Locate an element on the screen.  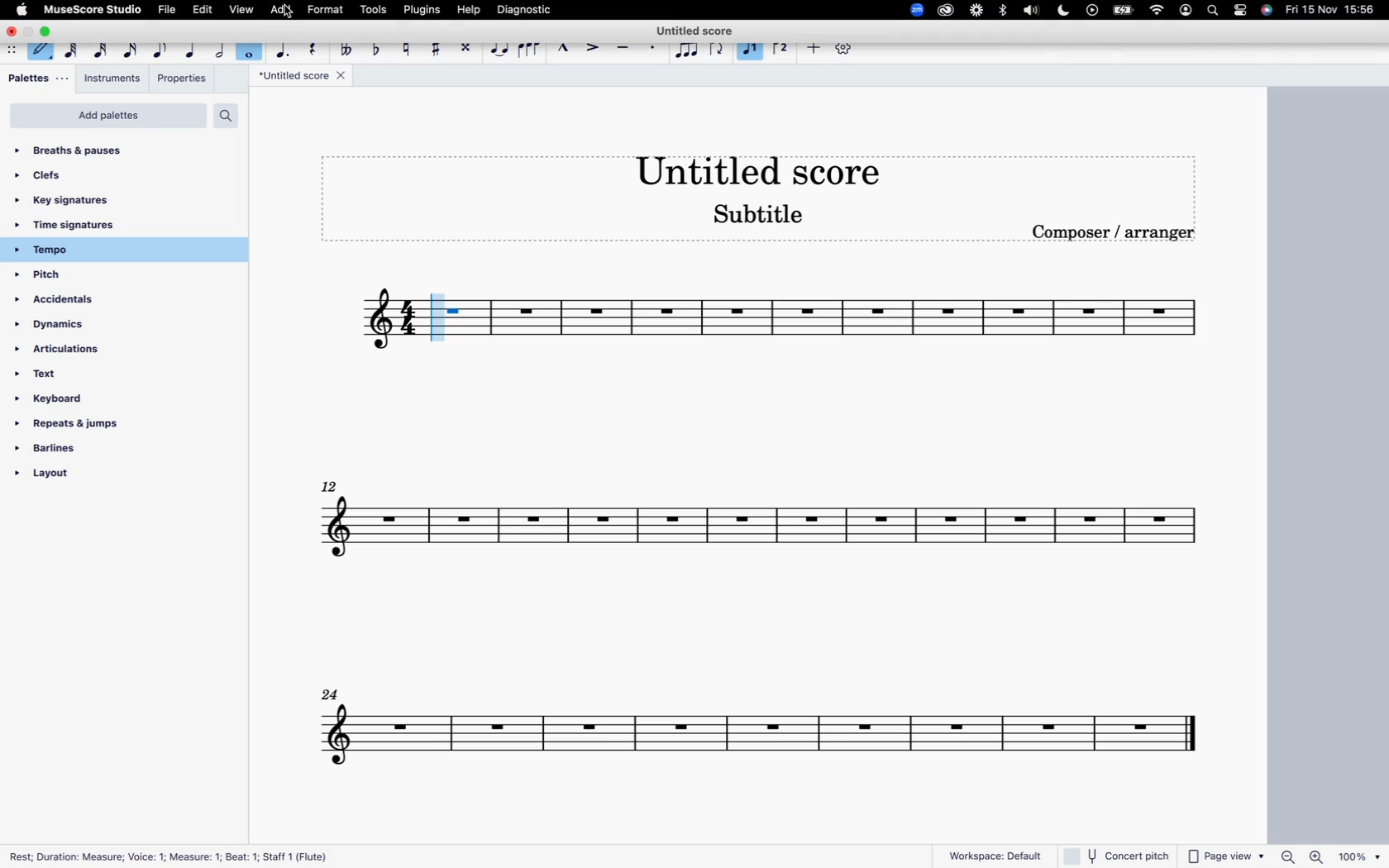
file is located at coordinates (168, 10).